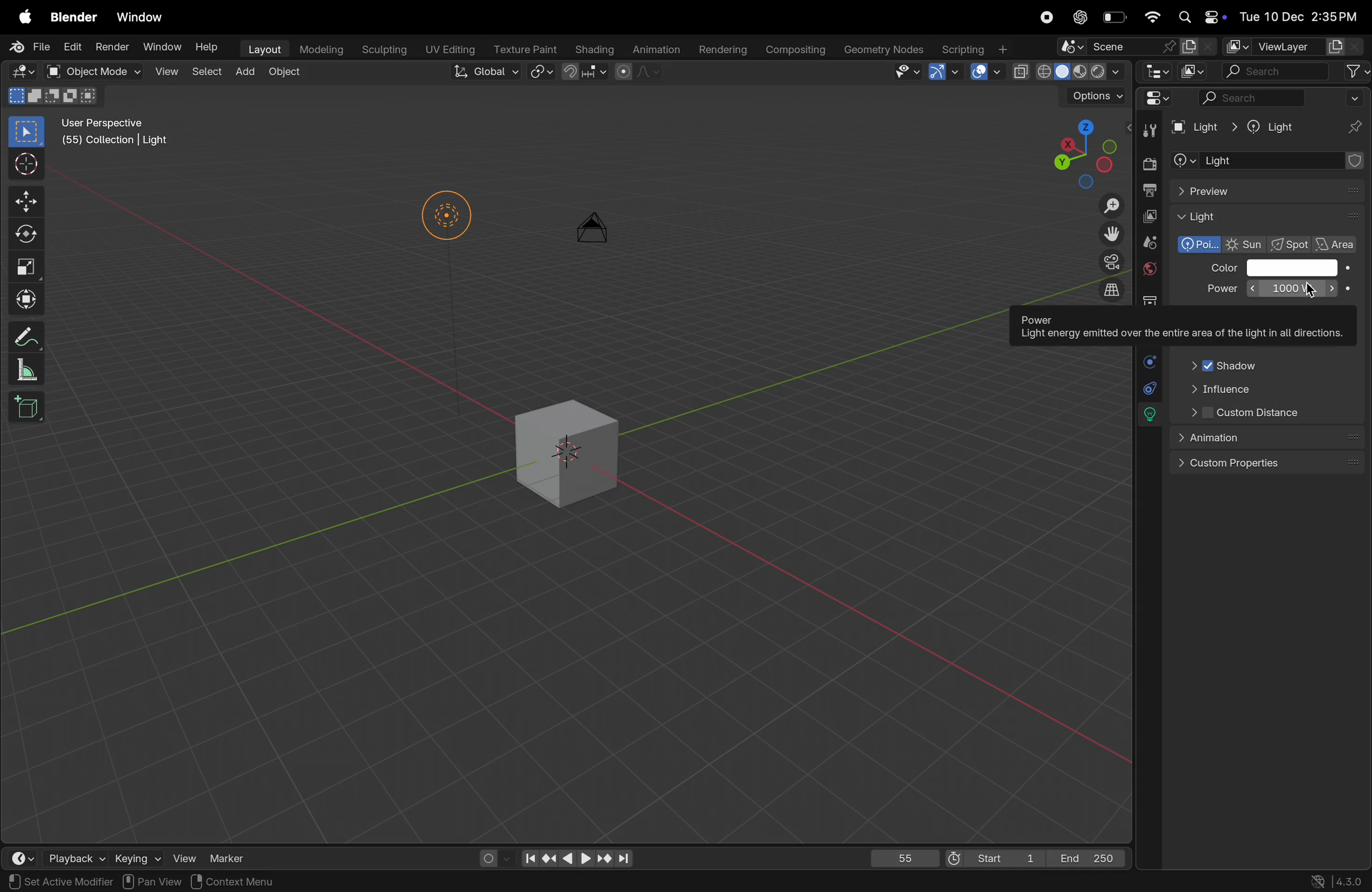 The height and width of the screenshot is (892, 1372). What do you see at coordinates (74, 16) in the screenshot?
I see `blender` at bounding box center [74, 16].